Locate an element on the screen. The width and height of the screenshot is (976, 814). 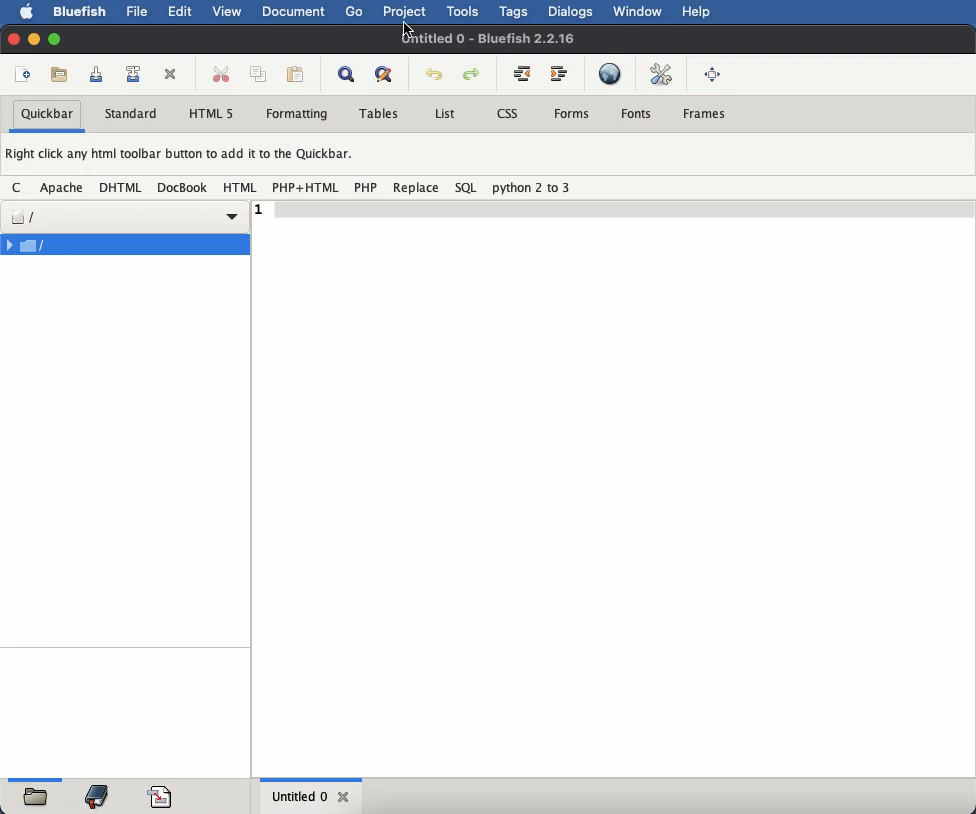
quickbar is located at coordinates (49, 115).